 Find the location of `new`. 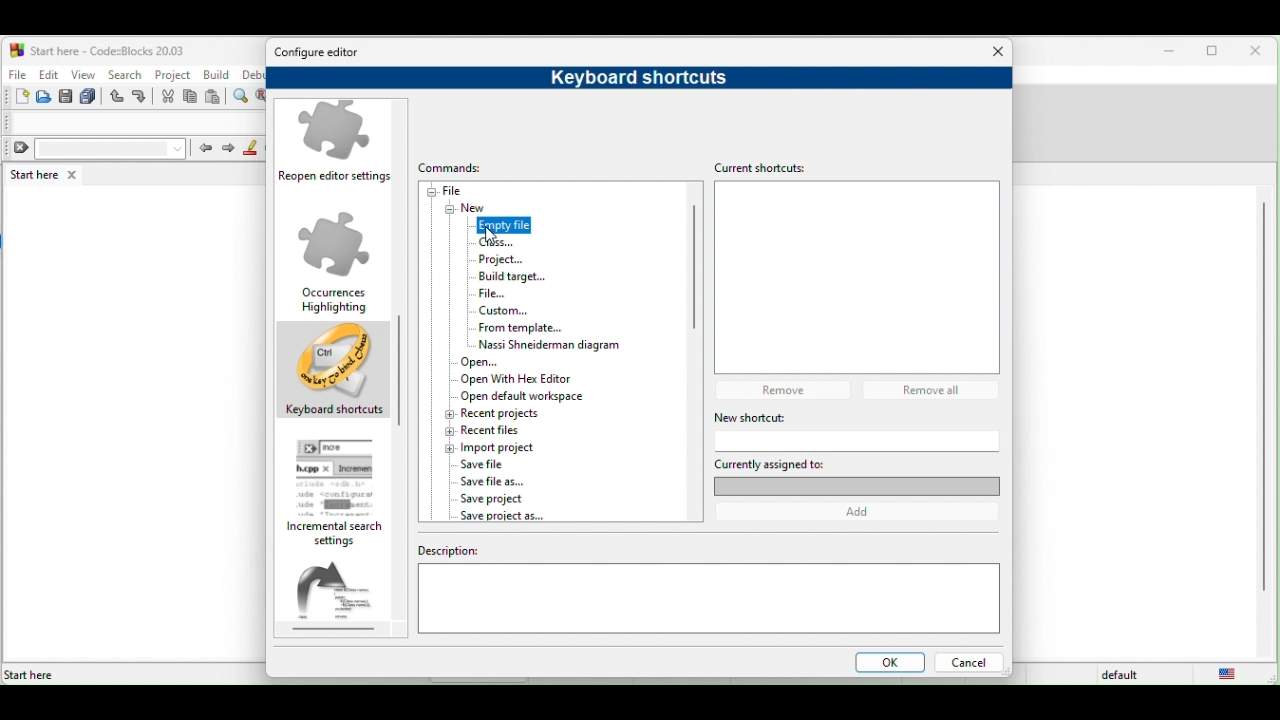

new is located at coordinates (16, 97).